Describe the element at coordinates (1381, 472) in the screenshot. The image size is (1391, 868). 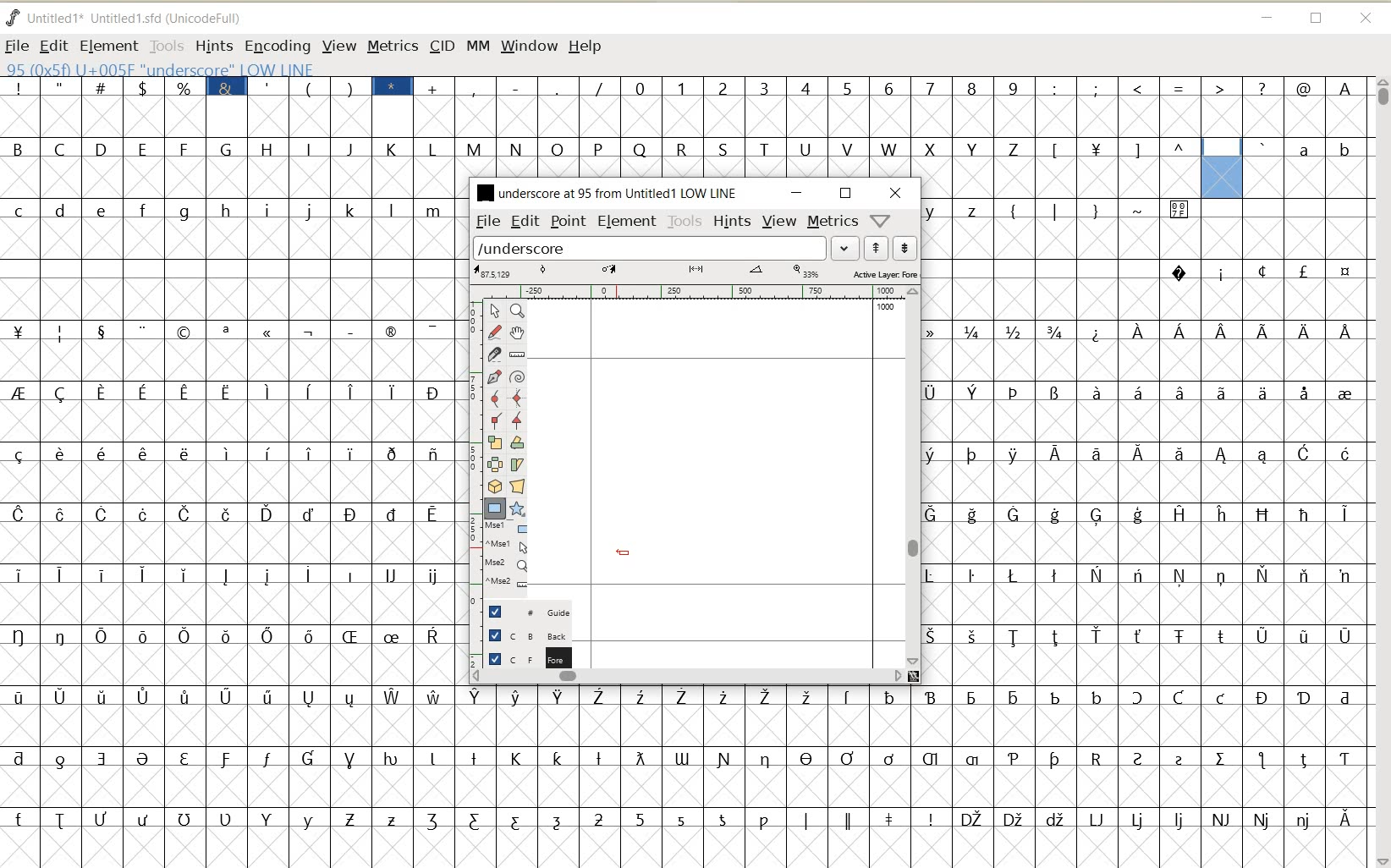
I see `SCROLLBAR` at that location.